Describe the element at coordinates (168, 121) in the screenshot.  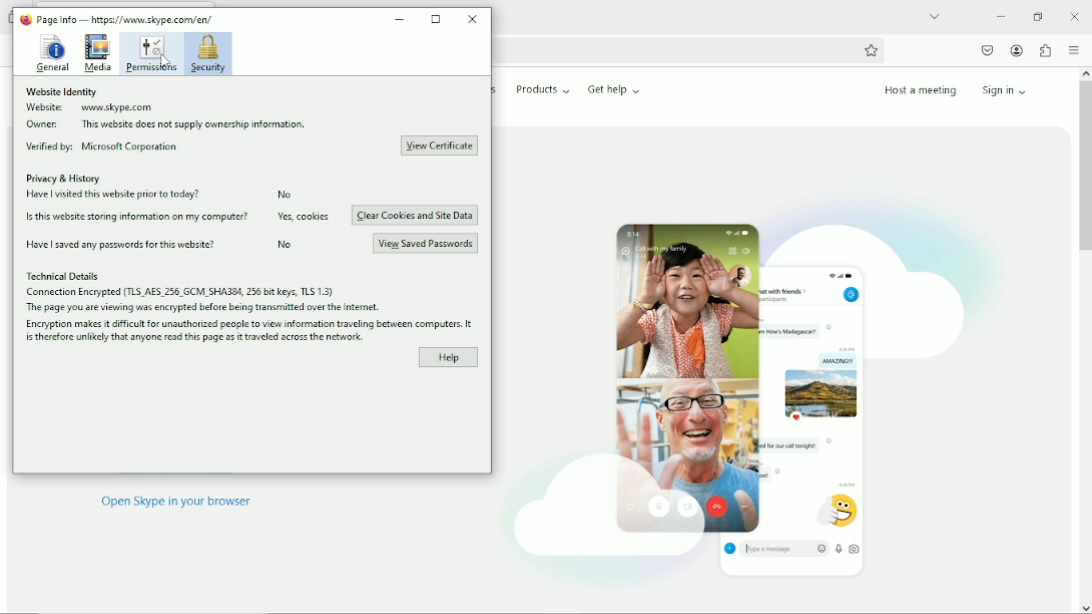
I see `Website Identity

Website wnmskype.com

Owner, This website does not supply ownership formation.
Verified by: Mictosoft Corporation` at that location.